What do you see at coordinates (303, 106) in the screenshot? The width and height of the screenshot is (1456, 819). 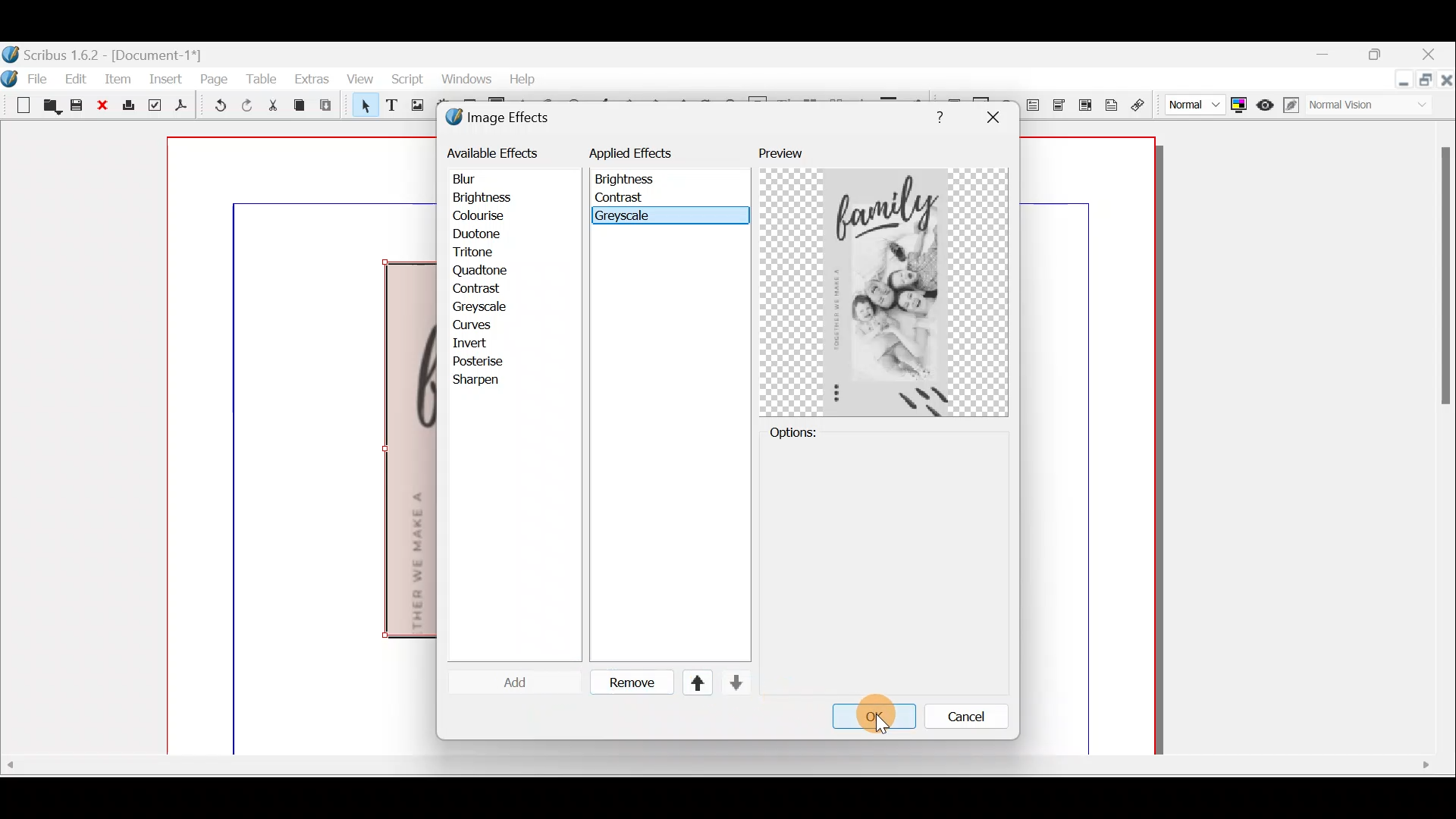 I see `Copy` at bounding box center [303, 106].